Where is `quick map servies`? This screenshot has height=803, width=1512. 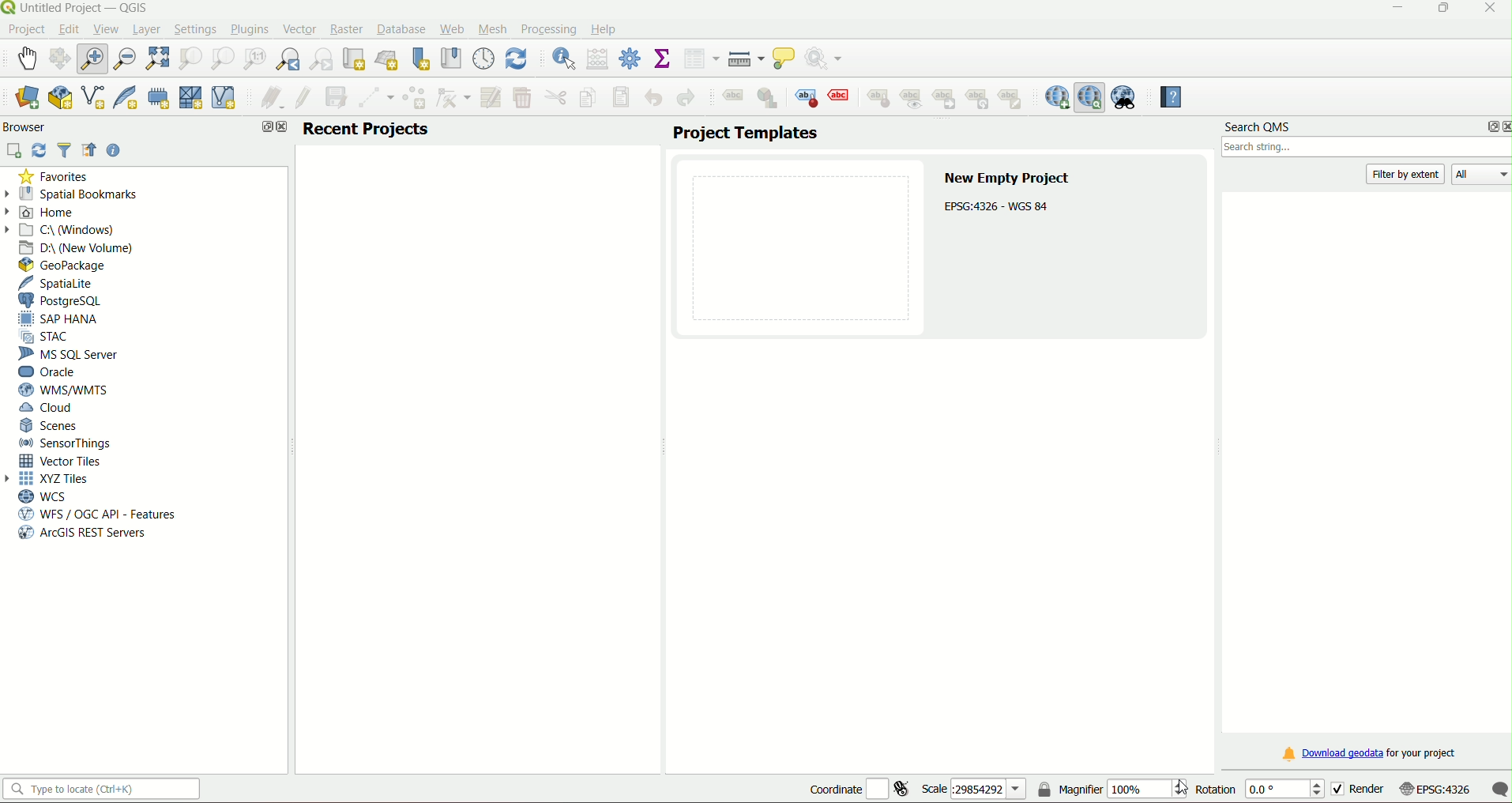
quick map servies is located at coordinates (1056, 97).